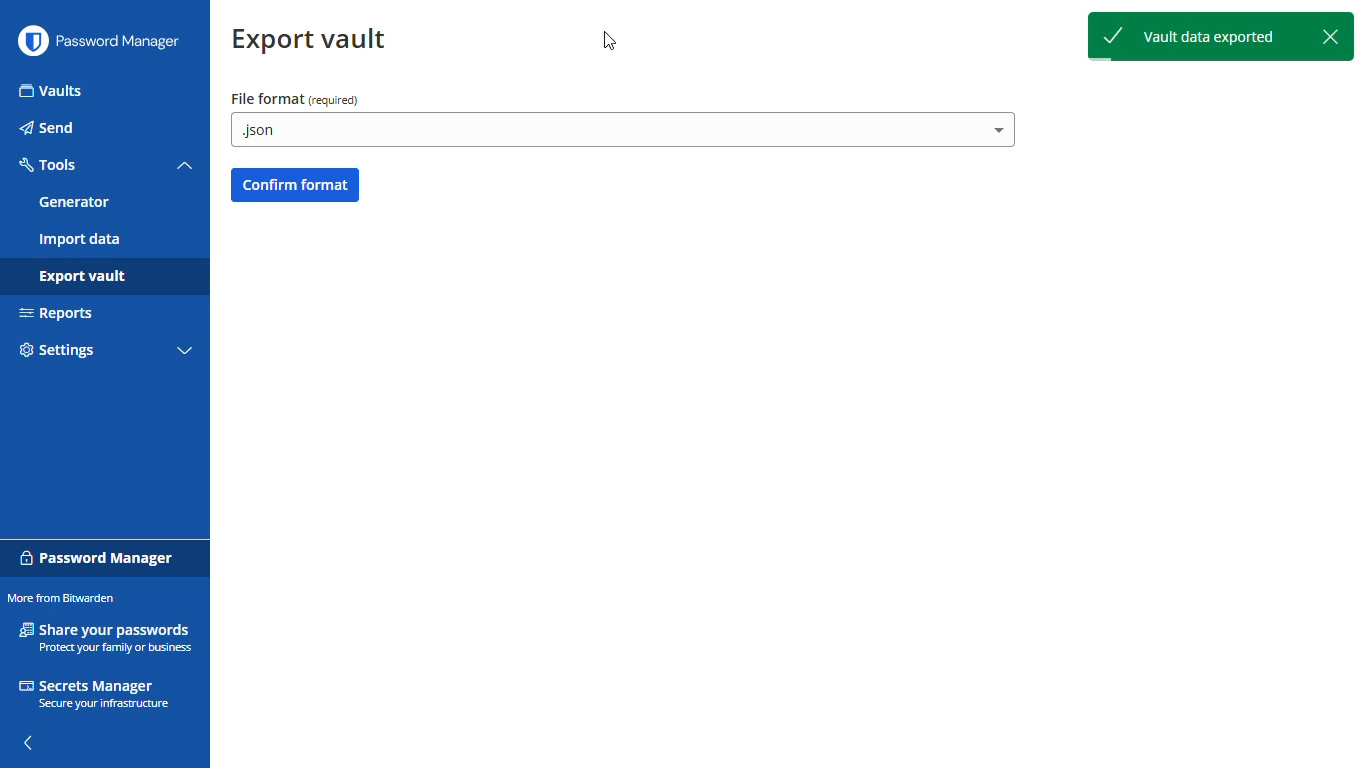  What do you see at coordinates (80, 278) in the screenshot?
I see `export vault` at bounding box center [80, 278].